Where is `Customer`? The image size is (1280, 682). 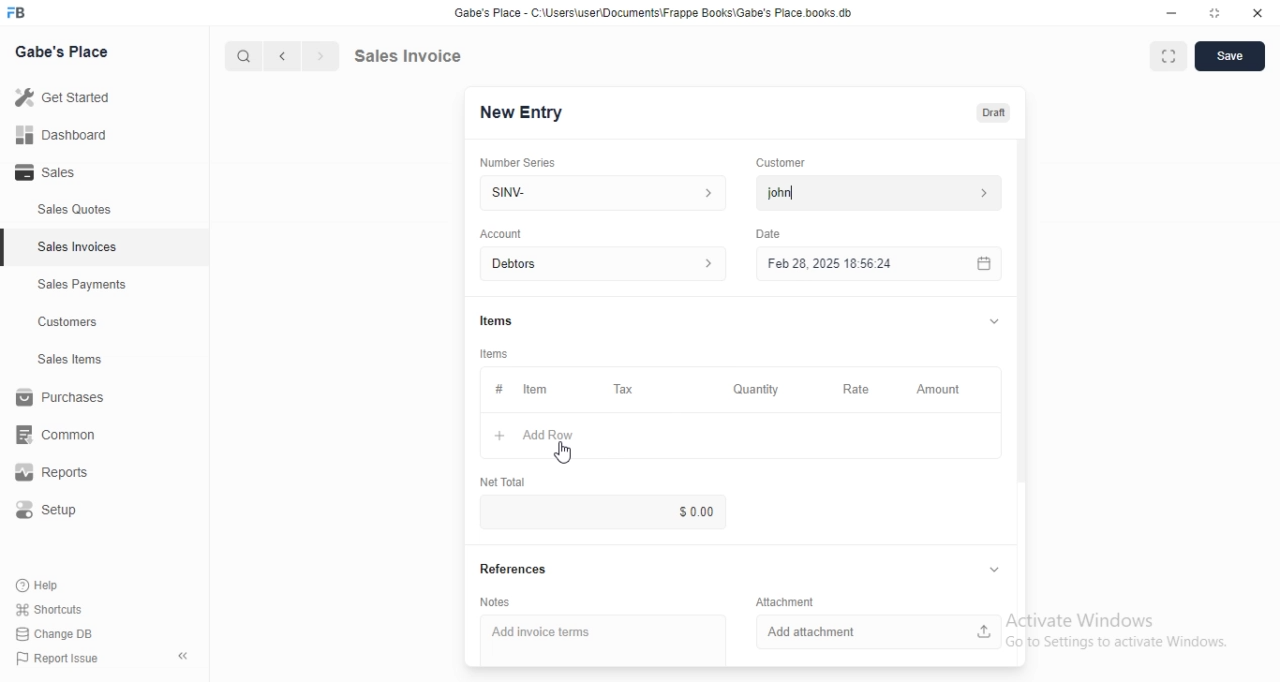 Customer is located at coordinates (789, 161).